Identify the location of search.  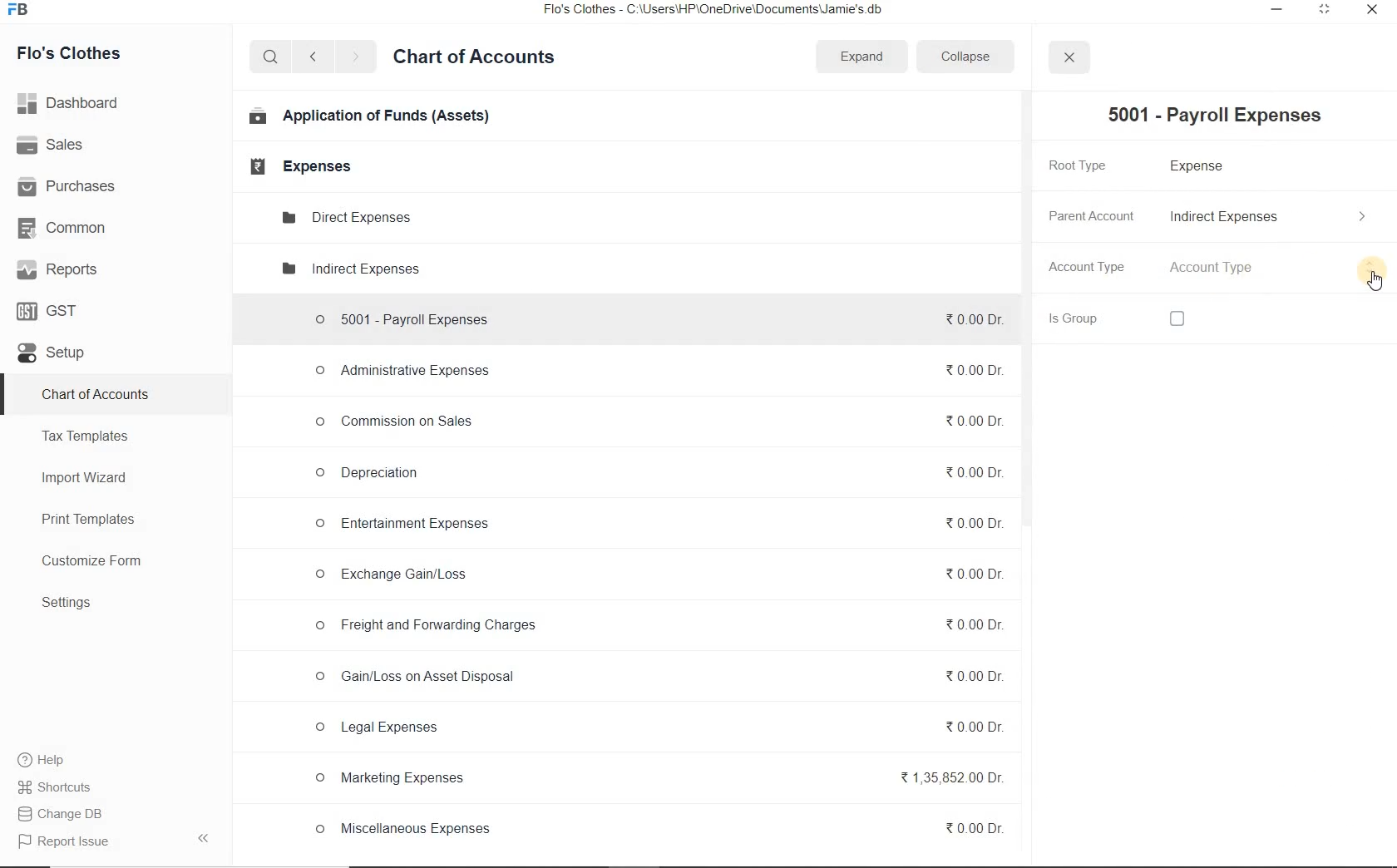
(268, 57).